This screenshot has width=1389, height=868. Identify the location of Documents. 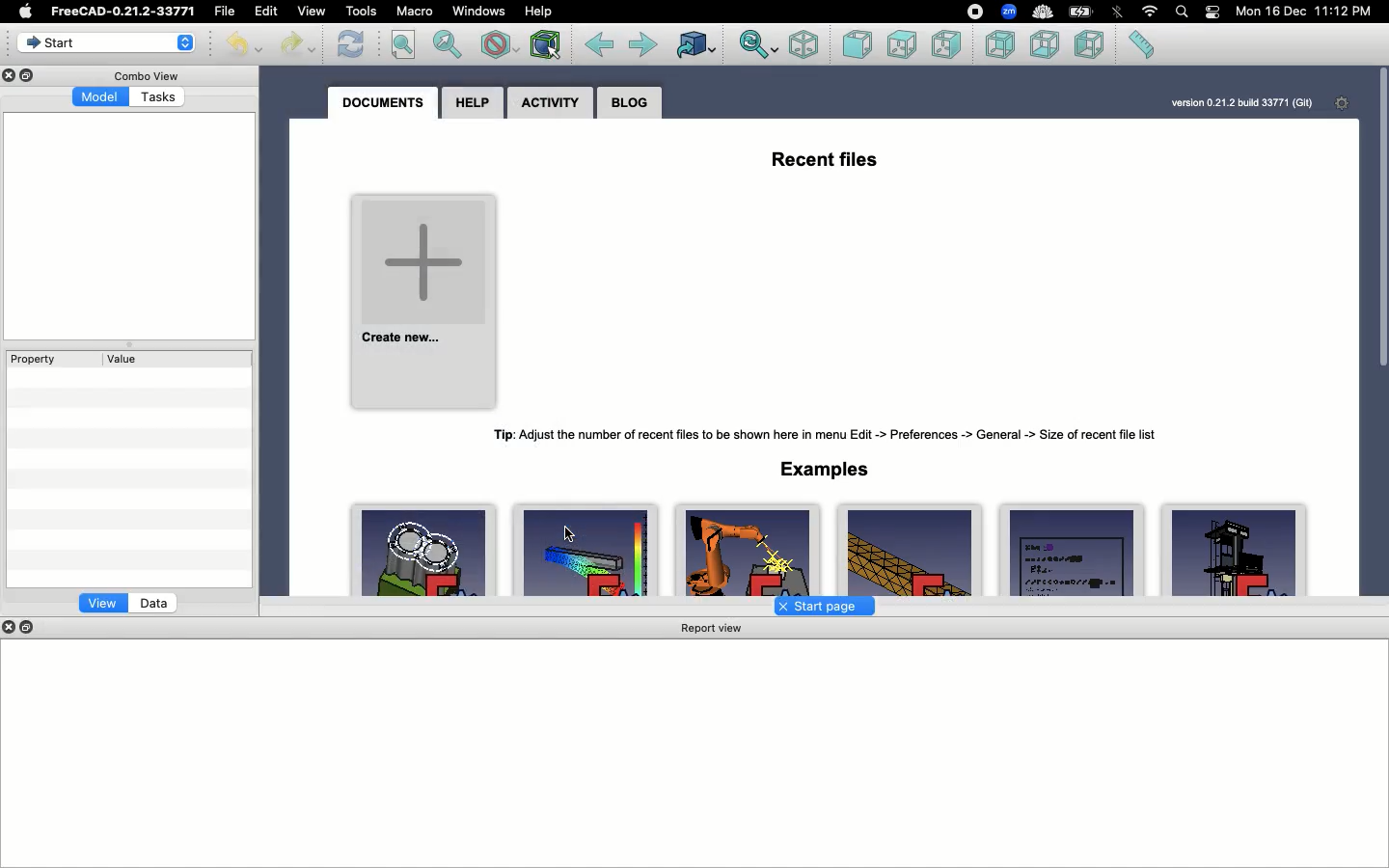
(385, 103).